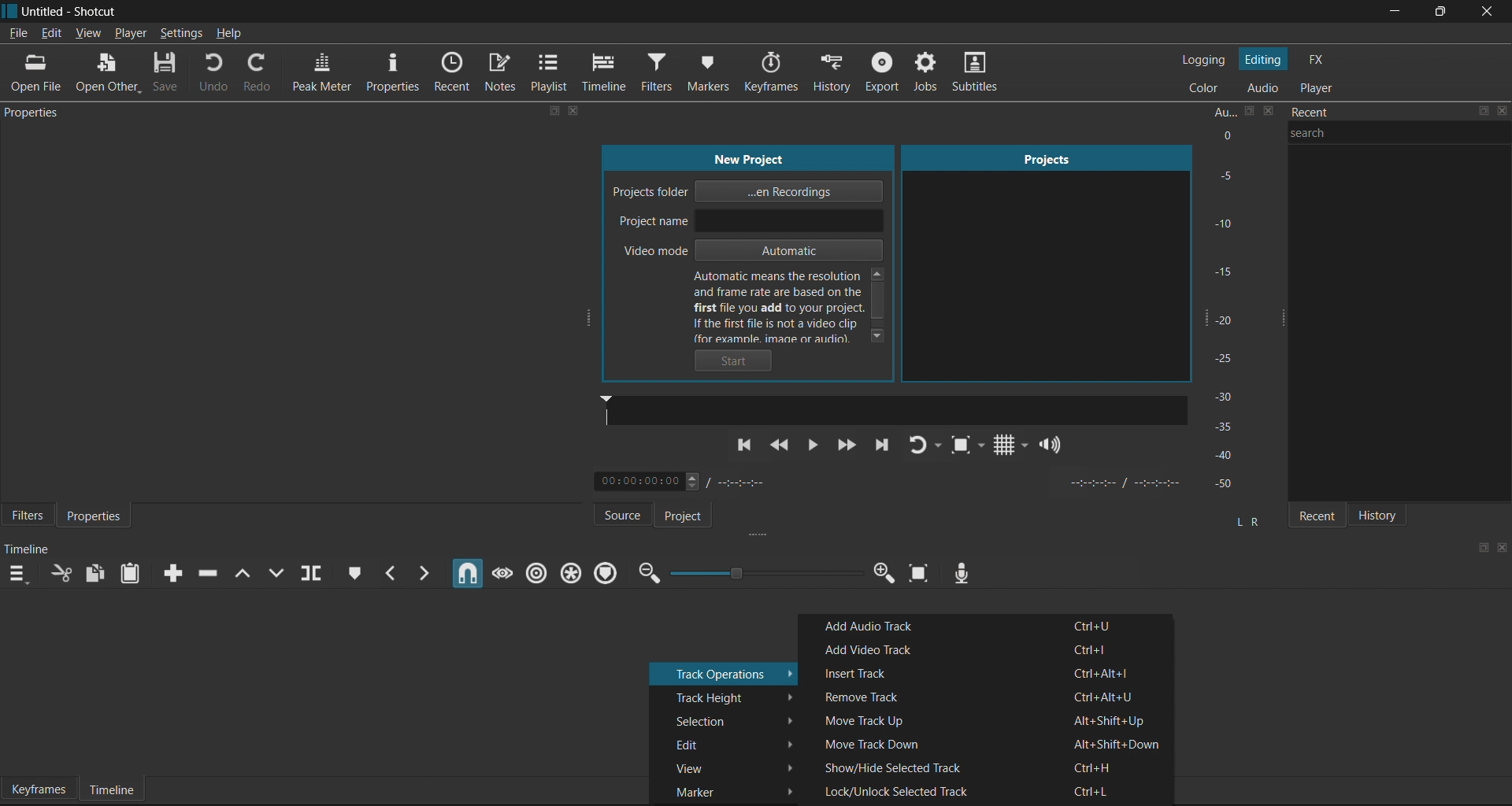  Describe the element at coordinates (169, 571) in the screenshot. I see `Append` at that location.